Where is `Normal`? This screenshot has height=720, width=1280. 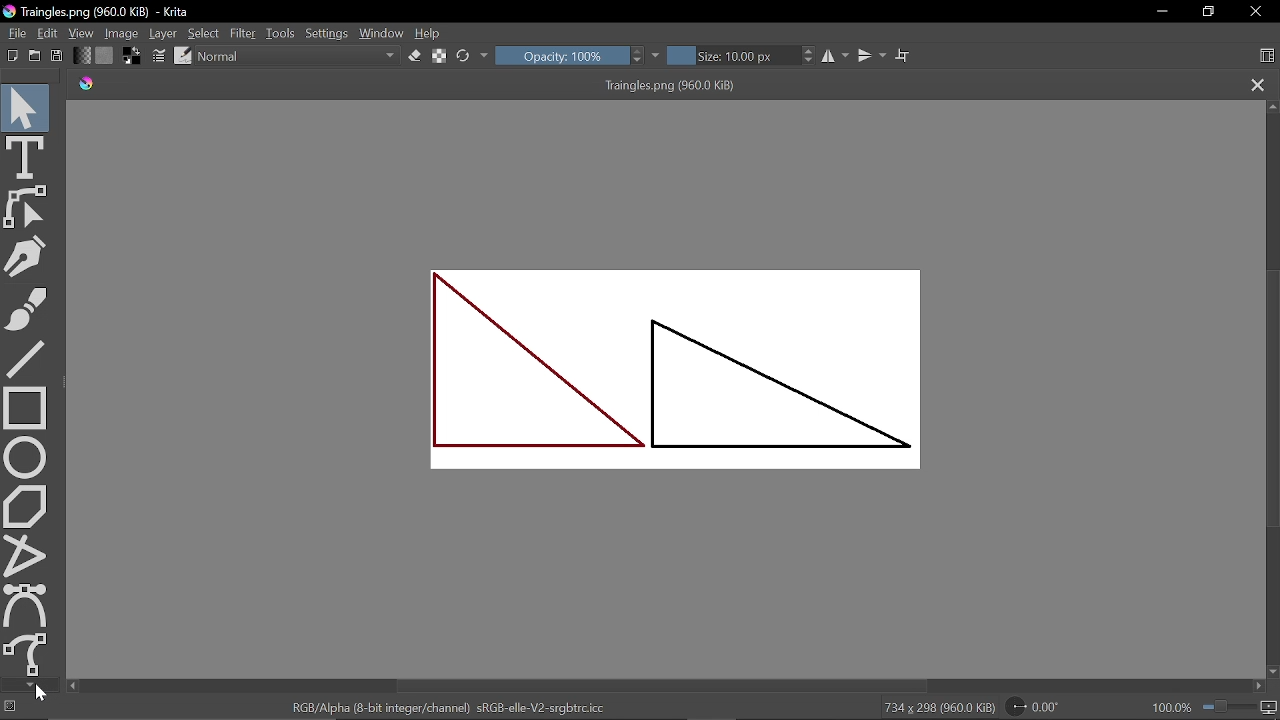 Normal is located at coordinates (299, 57).